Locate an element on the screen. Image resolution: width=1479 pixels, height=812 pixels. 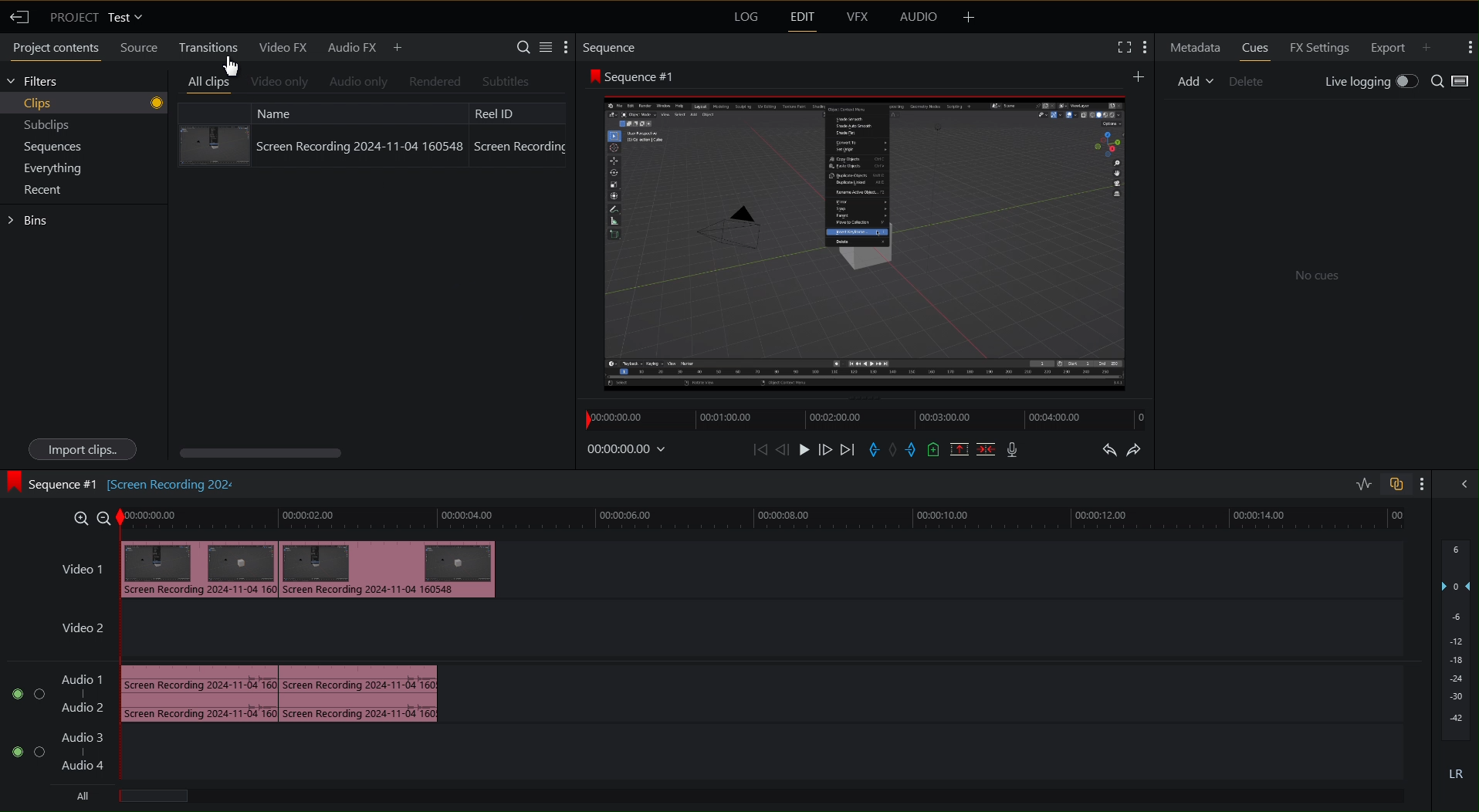
Undo is located at coordinates (1106, 449).